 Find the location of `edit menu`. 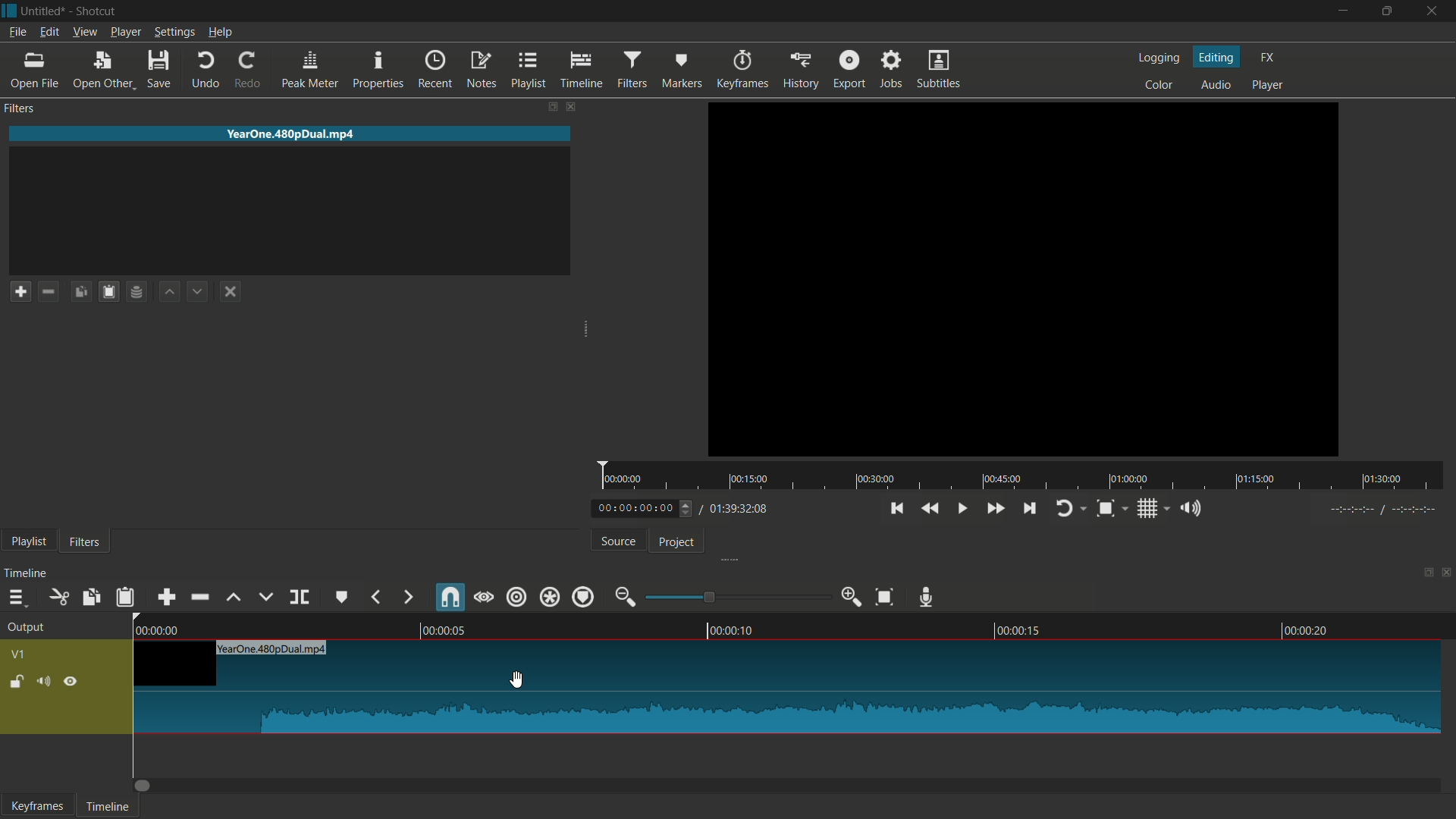

edit menu is located at coordinates (49, 32).